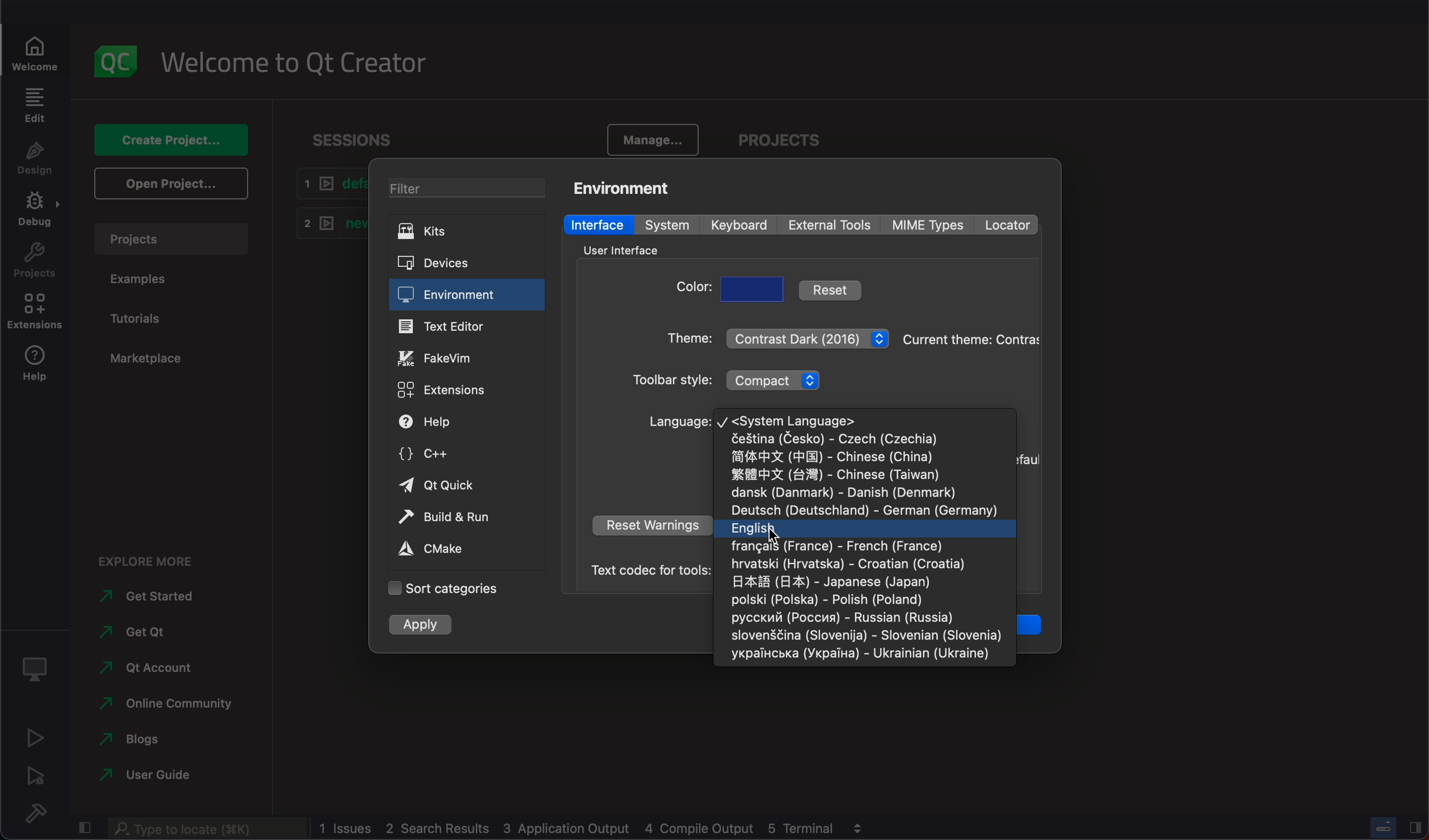 The height and width of the screenshot is (840, 1429). What do you see at coordinates (34, 261) in the screenshot?
I see `project` at bounding box center [34, 261].